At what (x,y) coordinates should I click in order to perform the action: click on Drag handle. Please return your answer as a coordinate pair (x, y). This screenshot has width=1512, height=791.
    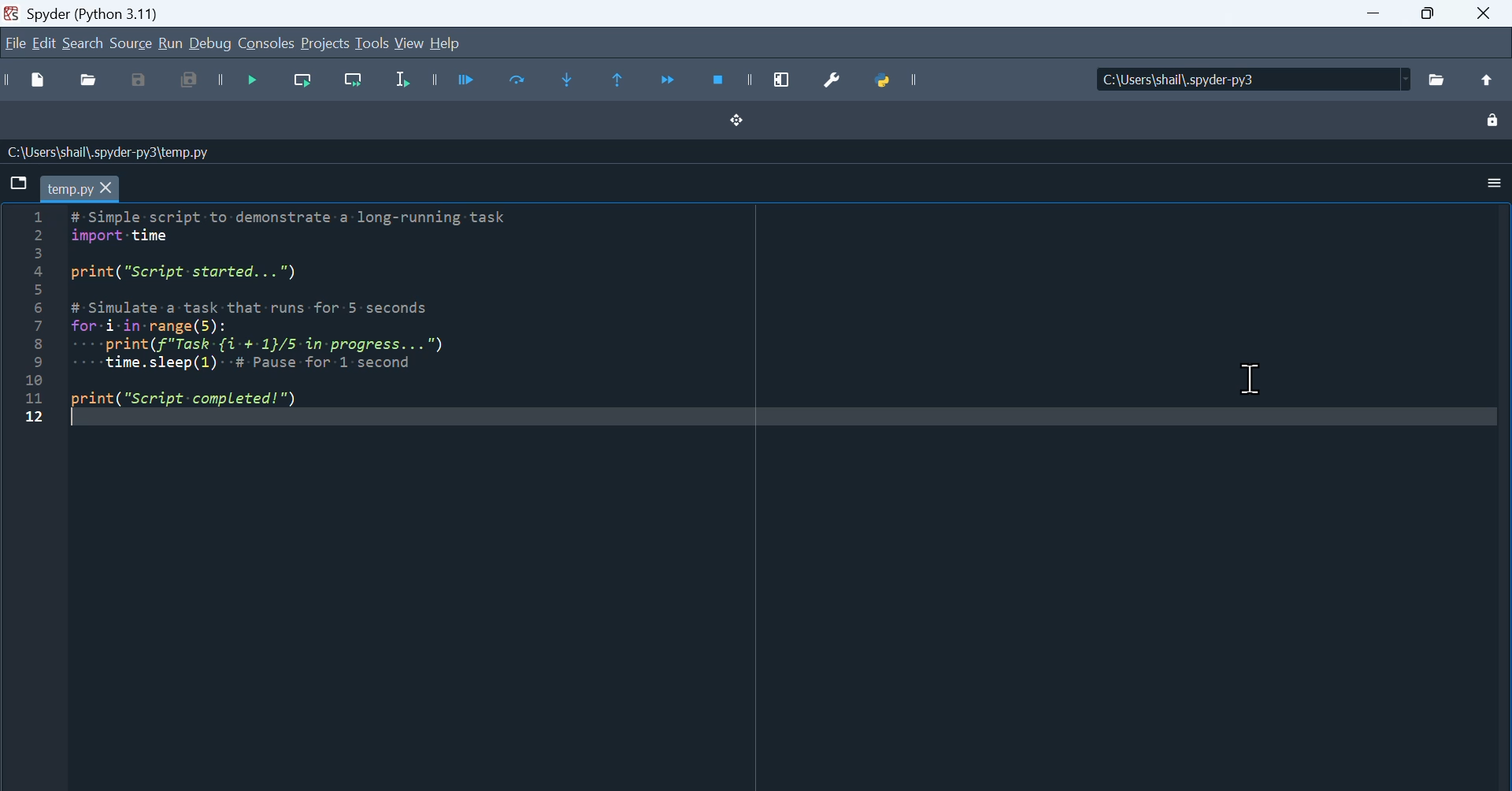
    Looking at the image, I should click on (733, 120).